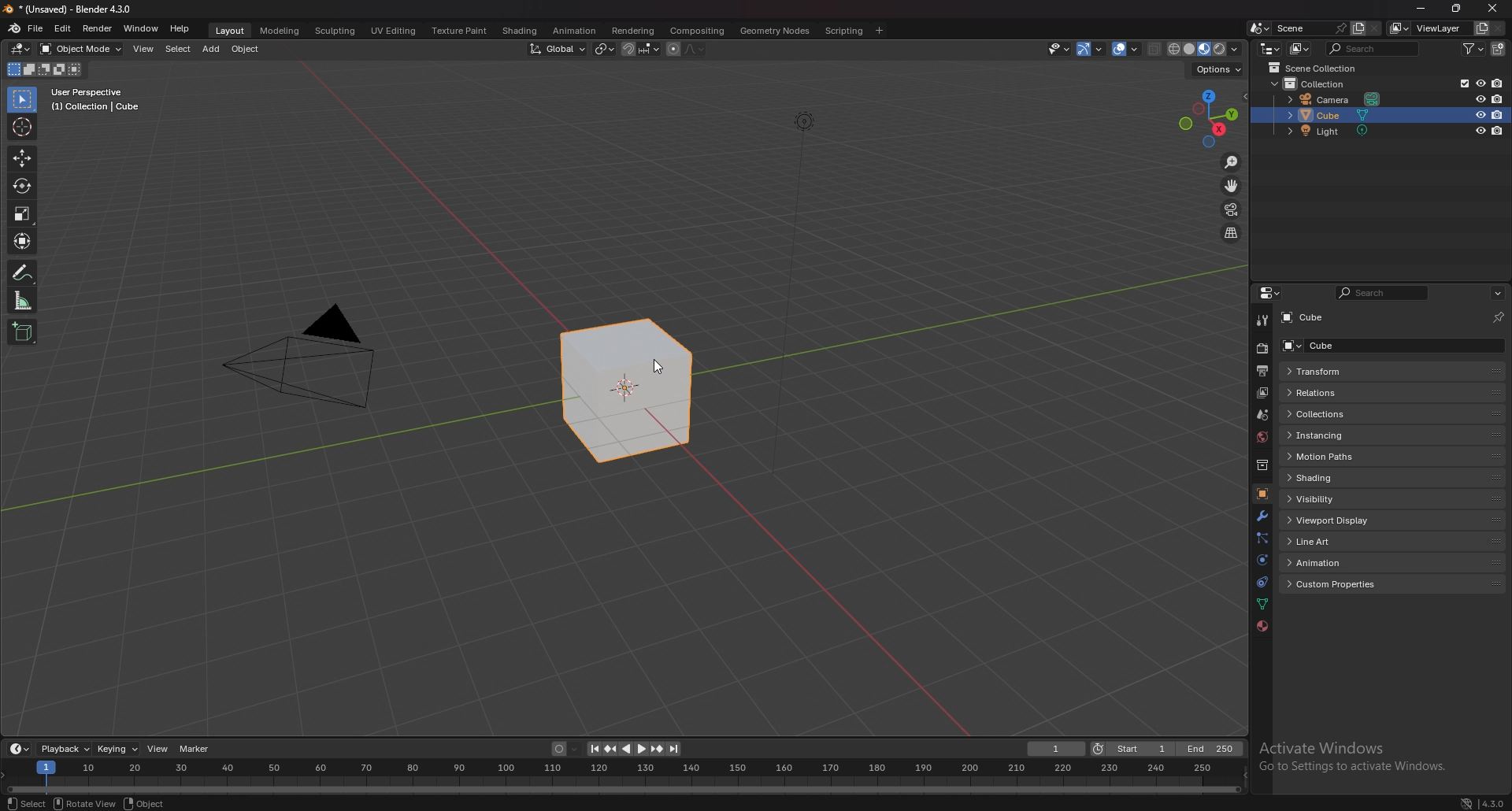 The width and height of the screenshot is (1512, 811). What do you see at coordinates (674, 50) in the screenshot?
I see `proportional editing object` at bounding box center [674, 50].